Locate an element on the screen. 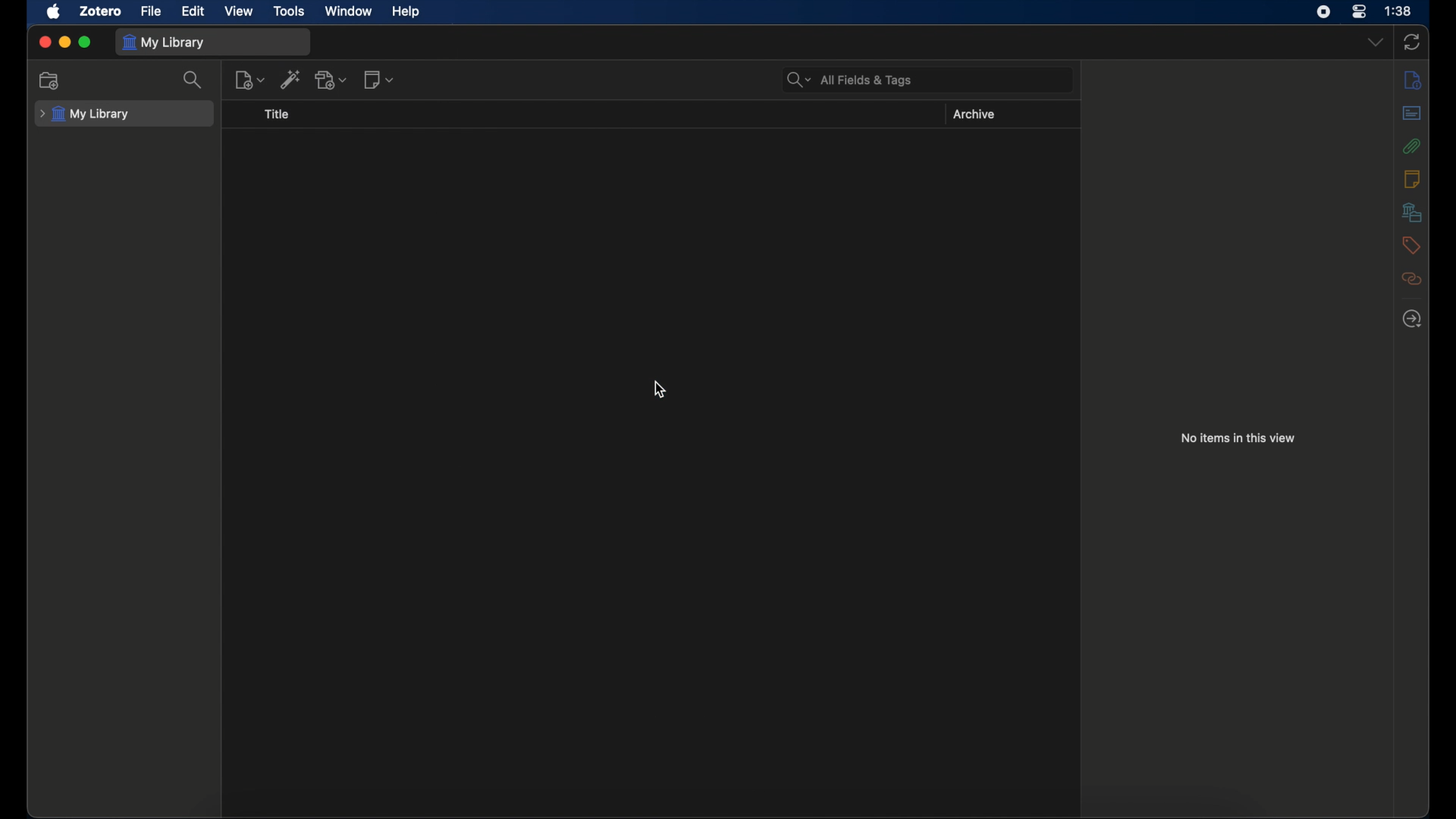 The image size is (1456, 819). help is located at coordinates (405, 11).